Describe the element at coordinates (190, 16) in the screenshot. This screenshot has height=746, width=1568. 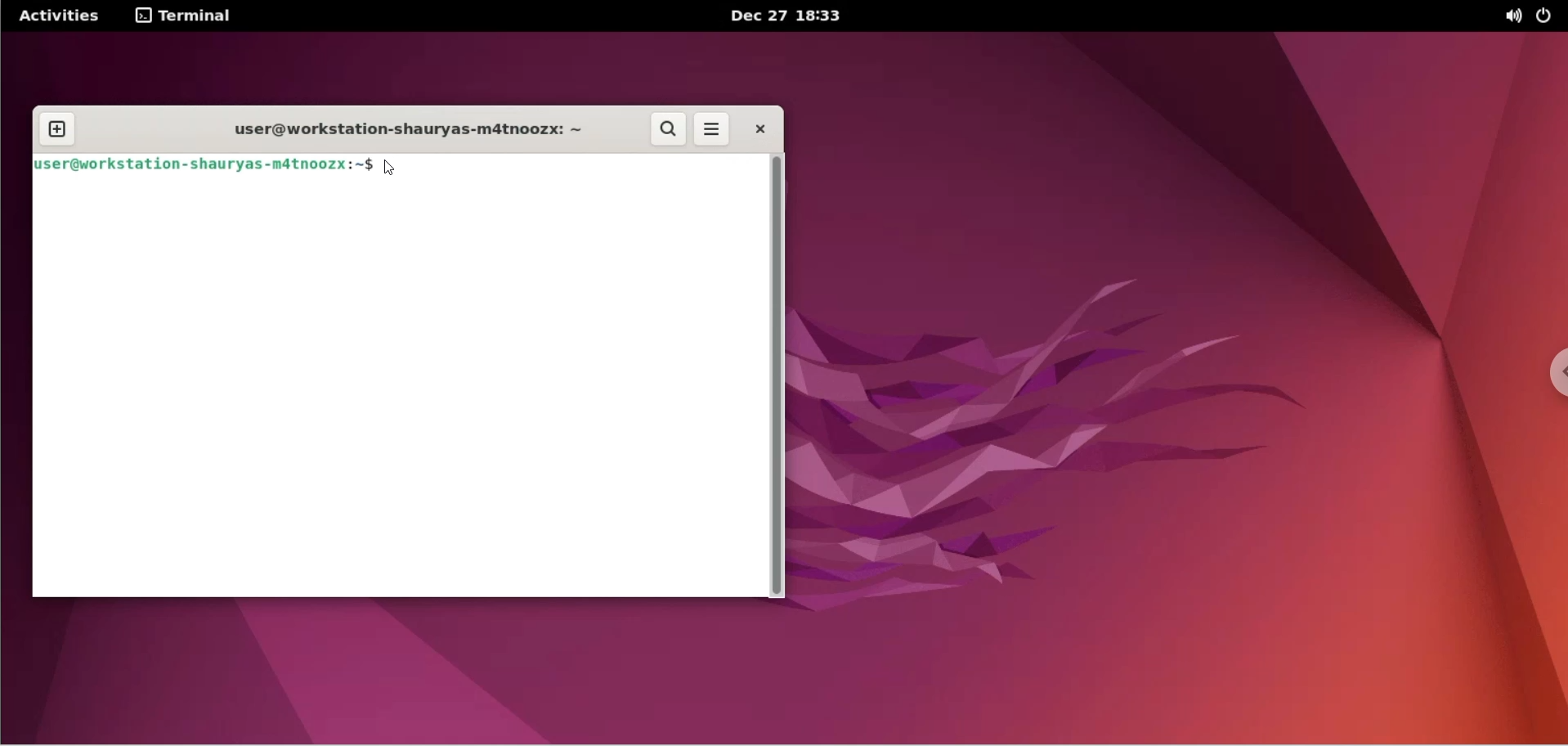
I see `Terminal ` at that location.